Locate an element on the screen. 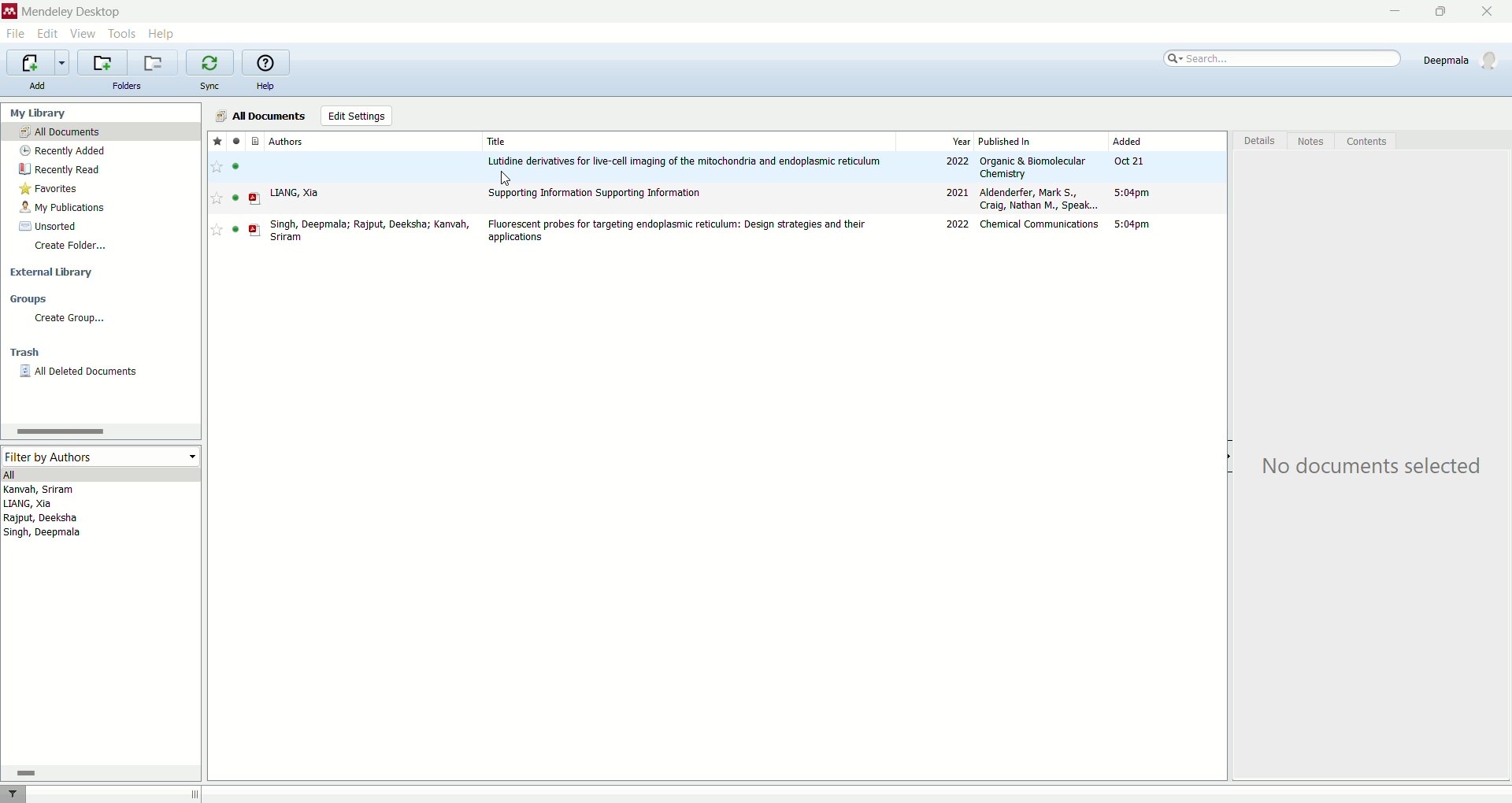  read/unread is located at coordinates (232, 231).